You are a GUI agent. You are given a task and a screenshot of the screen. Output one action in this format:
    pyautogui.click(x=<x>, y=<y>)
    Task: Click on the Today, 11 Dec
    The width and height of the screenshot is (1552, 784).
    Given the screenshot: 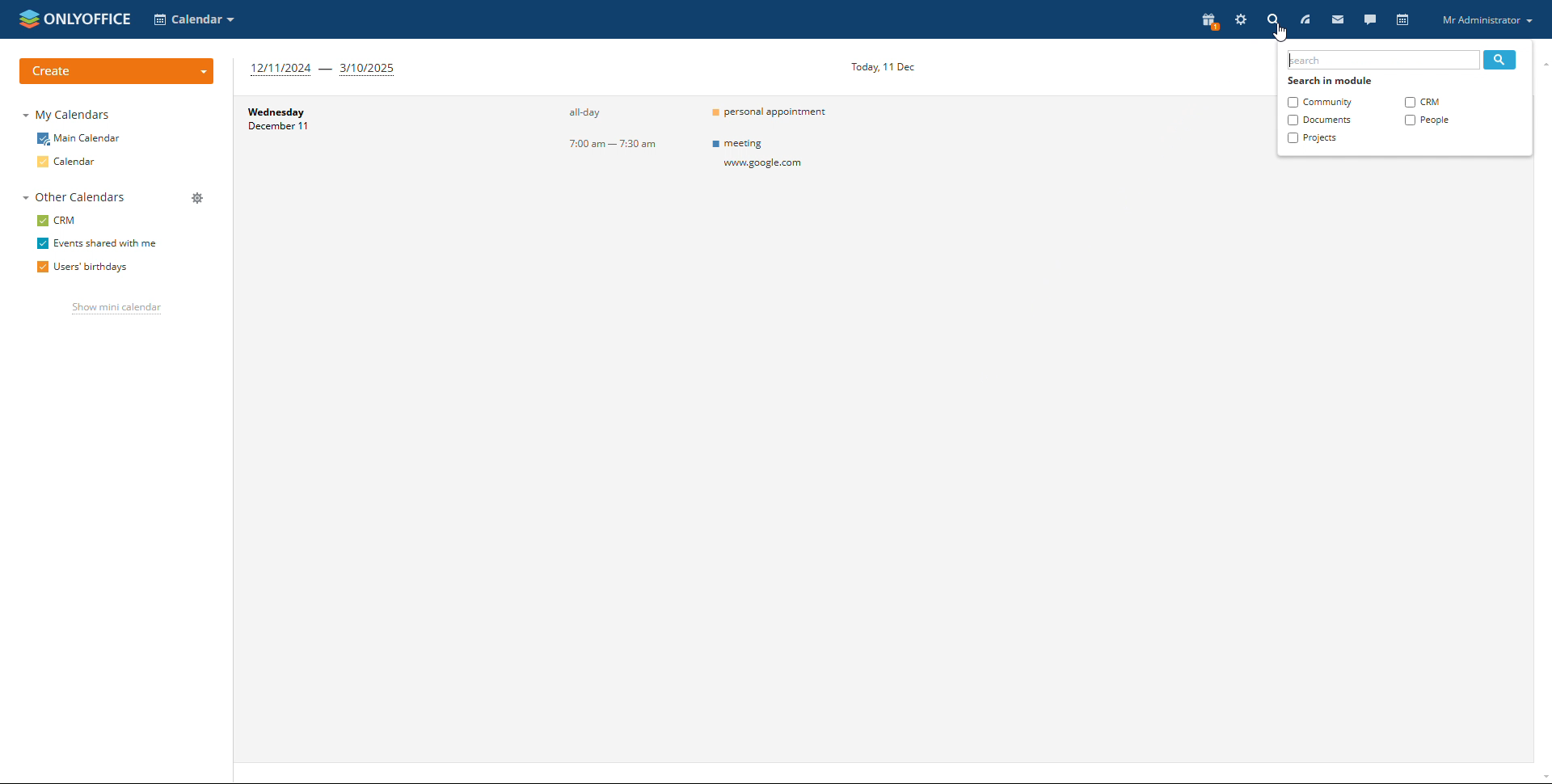 What is the action you would take?
    pyautogui.click(x=885, y=66)
    